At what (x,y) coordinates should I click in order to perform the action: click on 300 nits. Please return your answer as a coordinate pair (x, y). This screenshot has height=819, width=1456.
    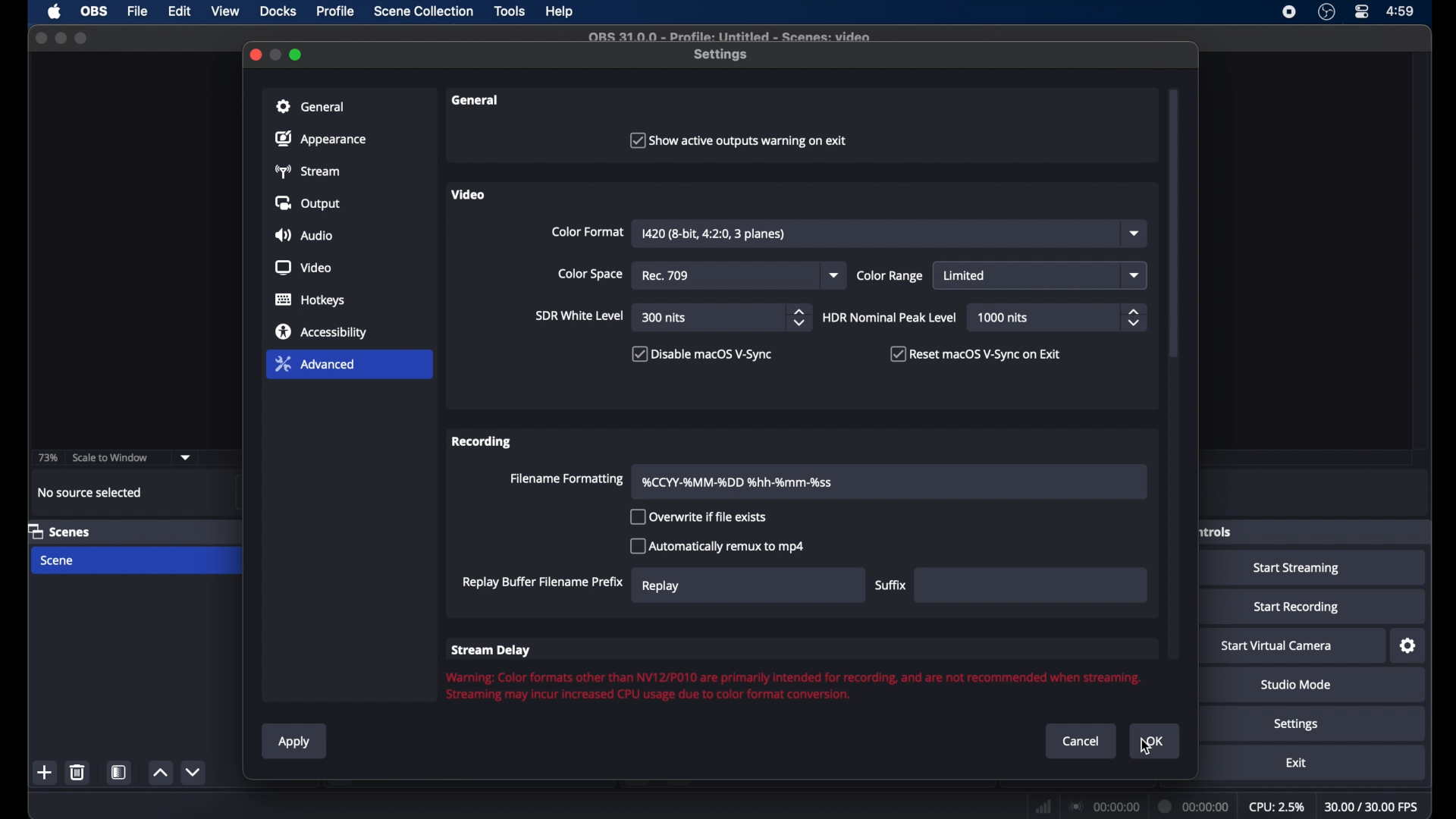
    Looking at the image, I should click on (664, 318).